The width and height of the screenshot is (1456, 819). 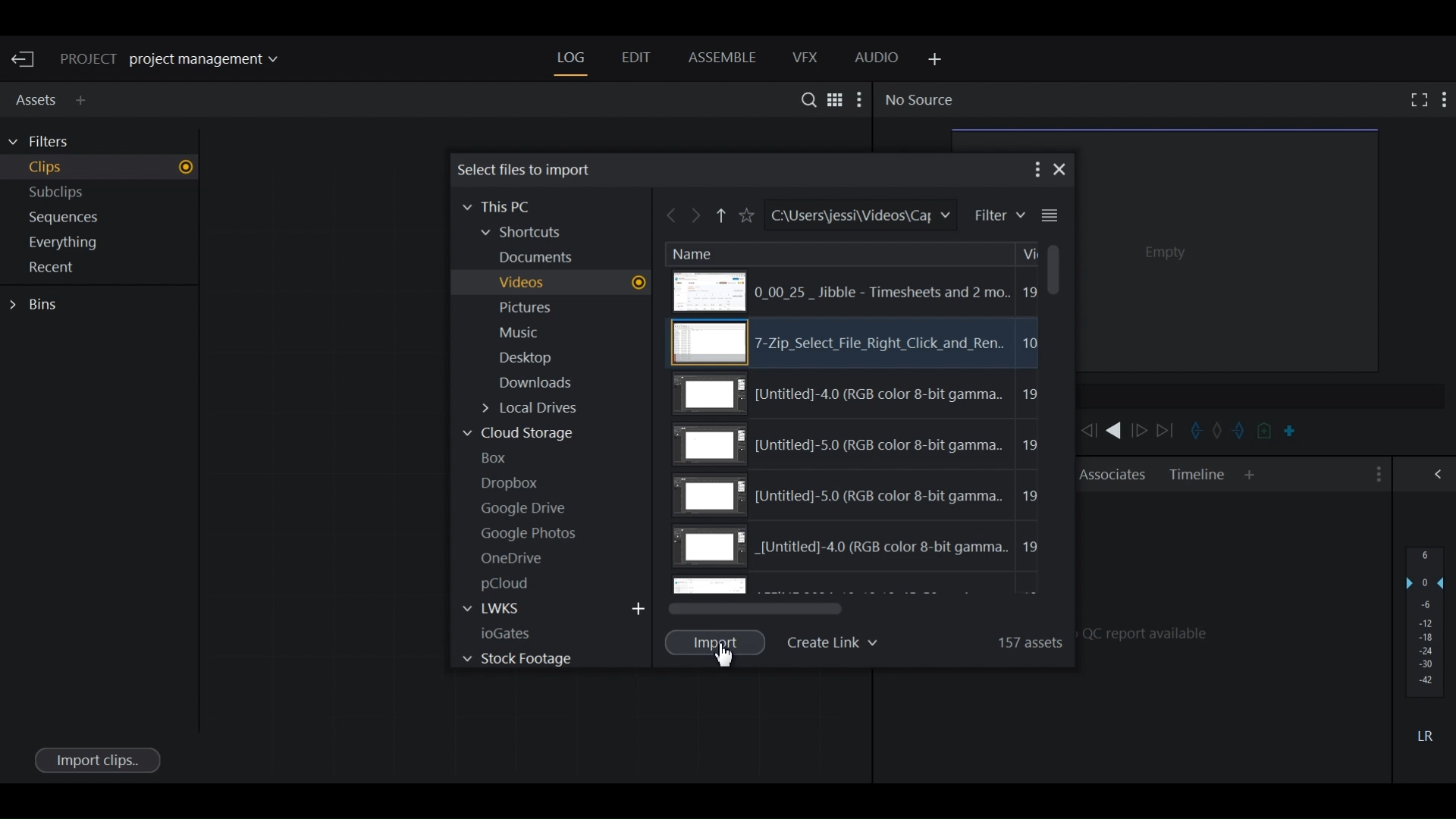 I want to click on Audio output levels, so click(x=1425, y=621).